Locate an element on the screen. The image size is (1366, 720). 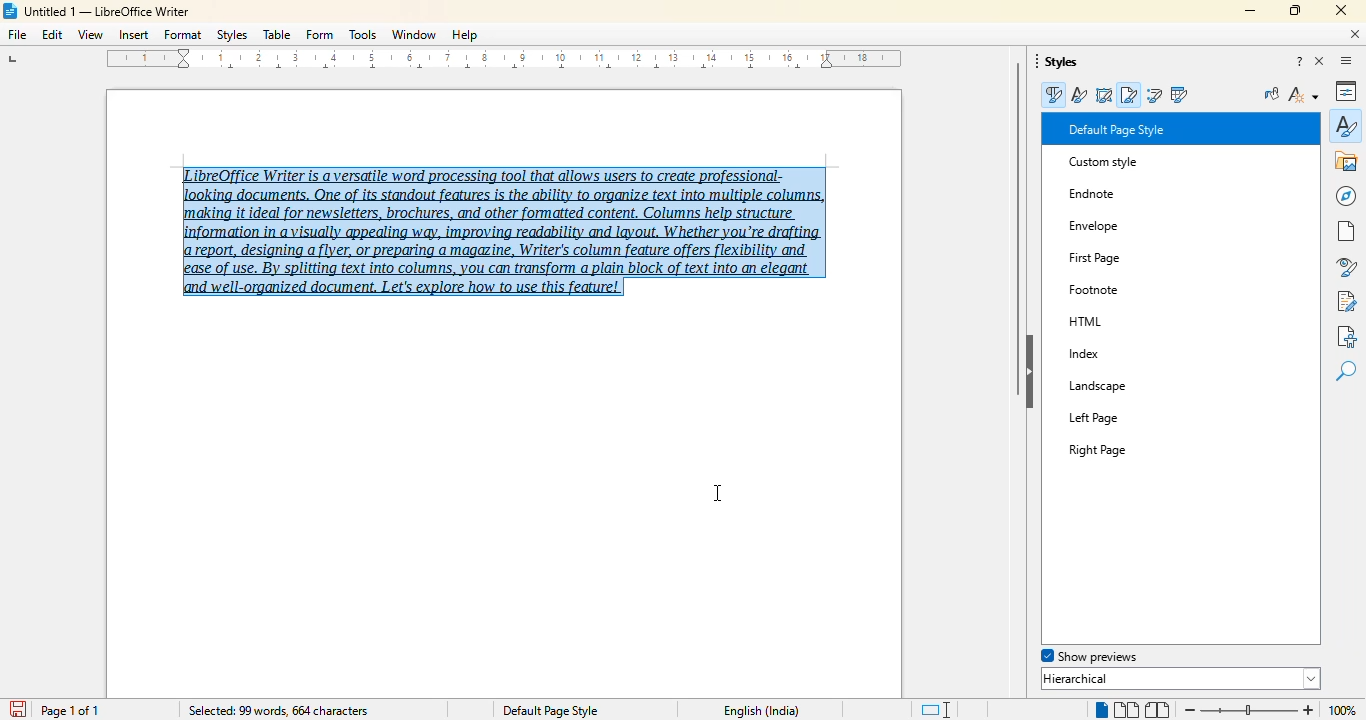
save document is located at coordinates (19, 708).